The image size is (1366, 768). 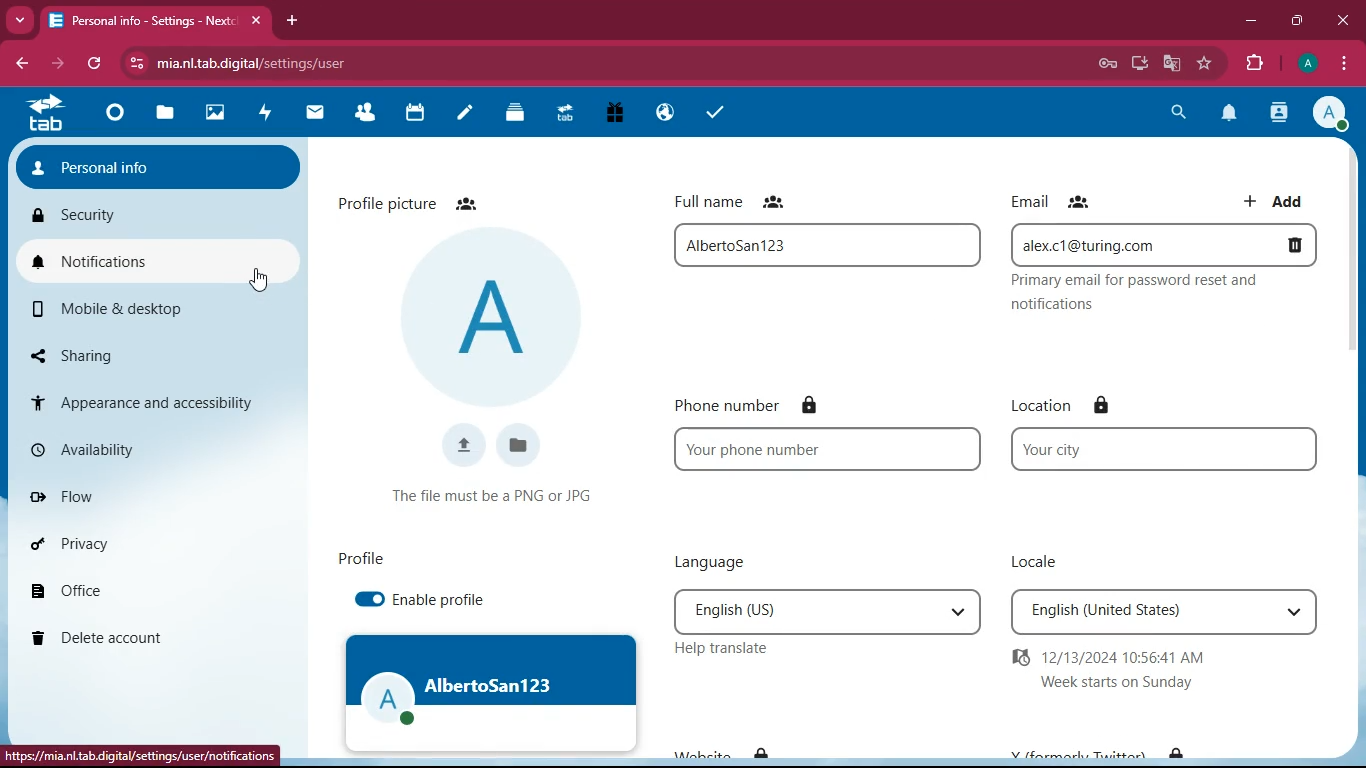 What do you see at coordinates (358, 563) in the screenshot?
I see `profile` at bounding box center [358, 563].